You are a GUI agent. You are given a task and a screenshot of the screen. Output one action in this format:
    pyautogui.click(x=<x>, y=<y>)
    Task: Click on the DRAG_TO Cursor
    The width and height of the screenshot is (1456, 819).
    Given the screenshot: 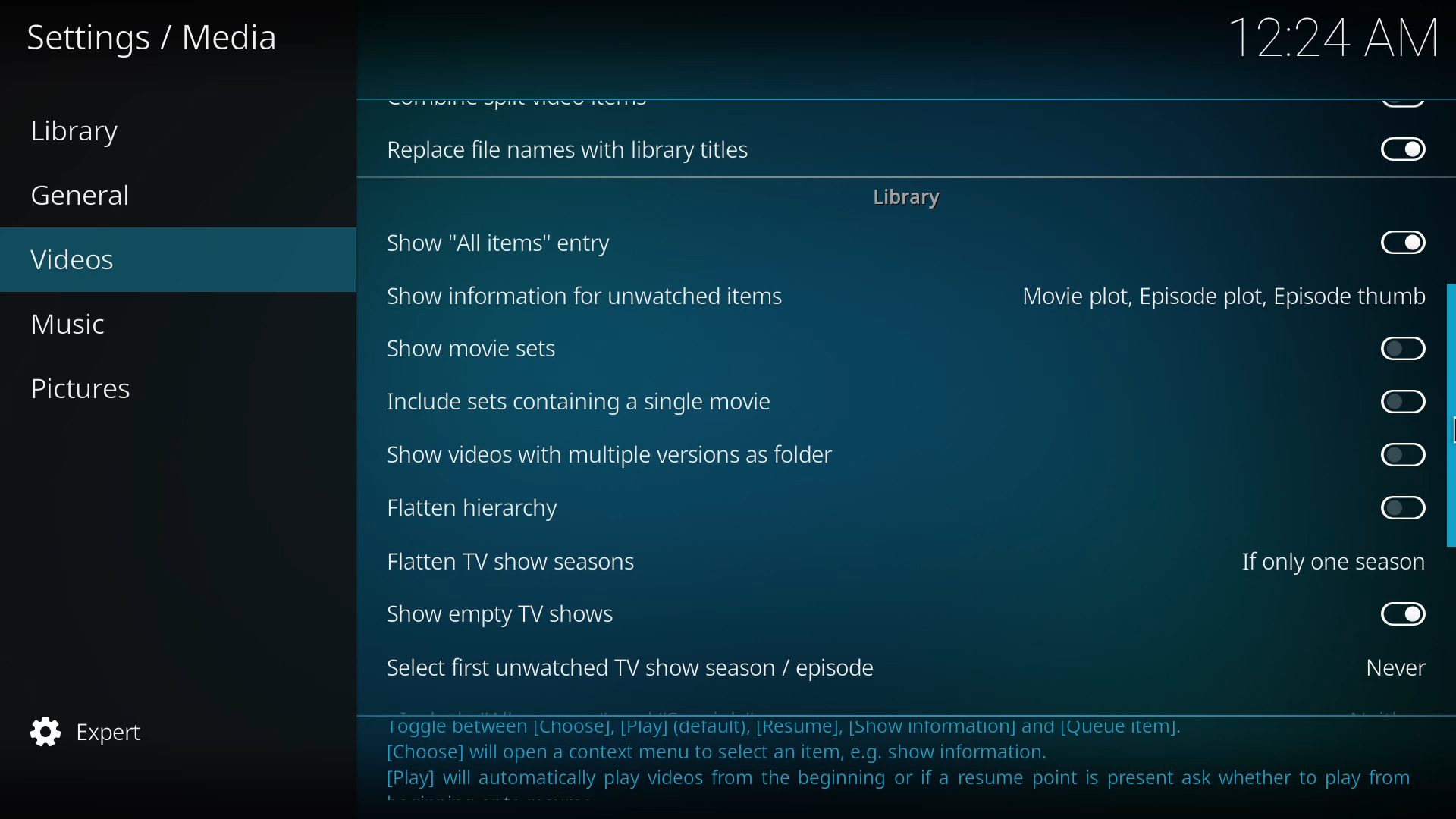 What is the action you would take?
    pyautogui.click(x=1448, y=422)
    